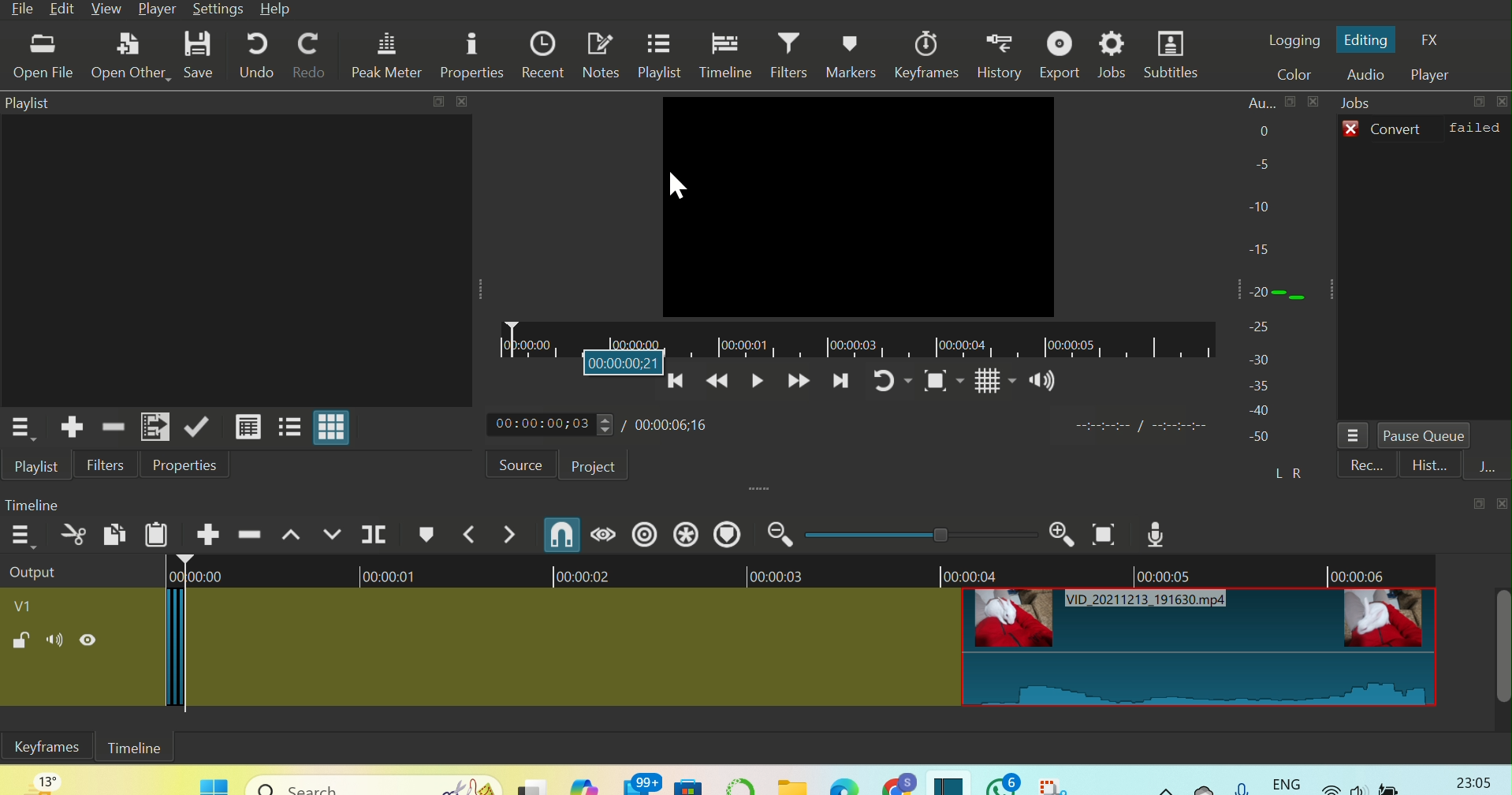 Image resolution: width=1512 pixels, height=795 pixels. Describe the element at coordinates (20, 536) in the screenshot. I see `Options` at that location.